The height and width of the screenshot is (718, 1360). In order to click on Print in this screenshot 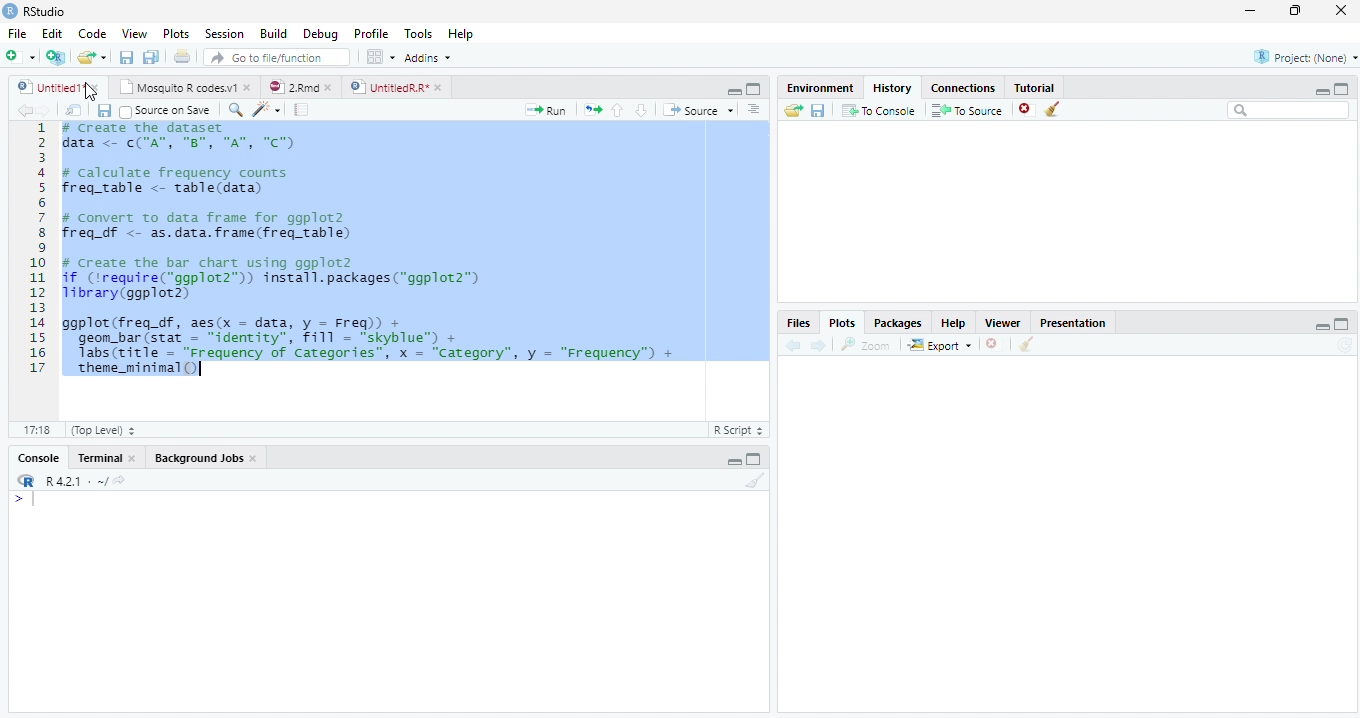, I will do `click(182, 58)`.